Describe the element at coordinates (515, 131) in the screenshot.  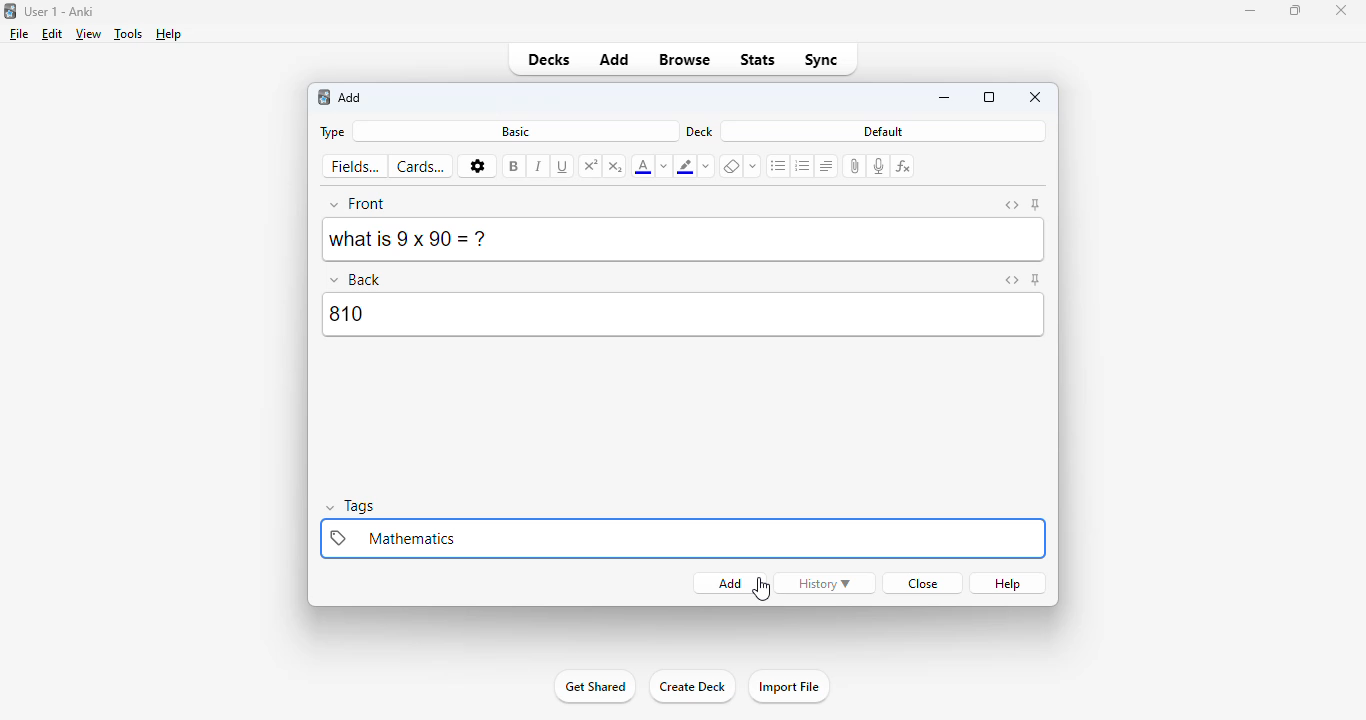
I see `basic` at that location.